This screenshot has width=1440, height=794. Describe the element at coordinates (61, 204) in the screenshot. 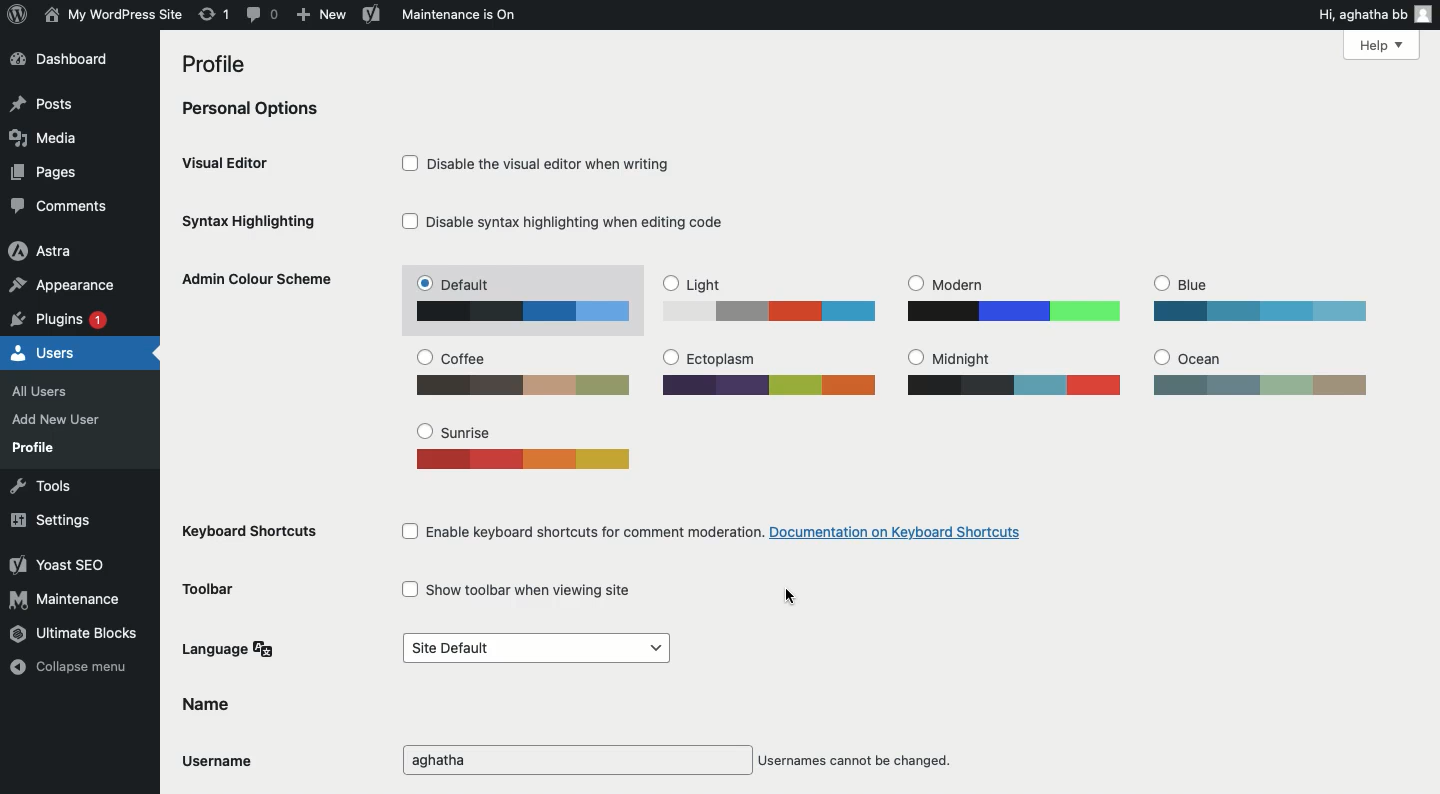

I see `Comments` at that location.